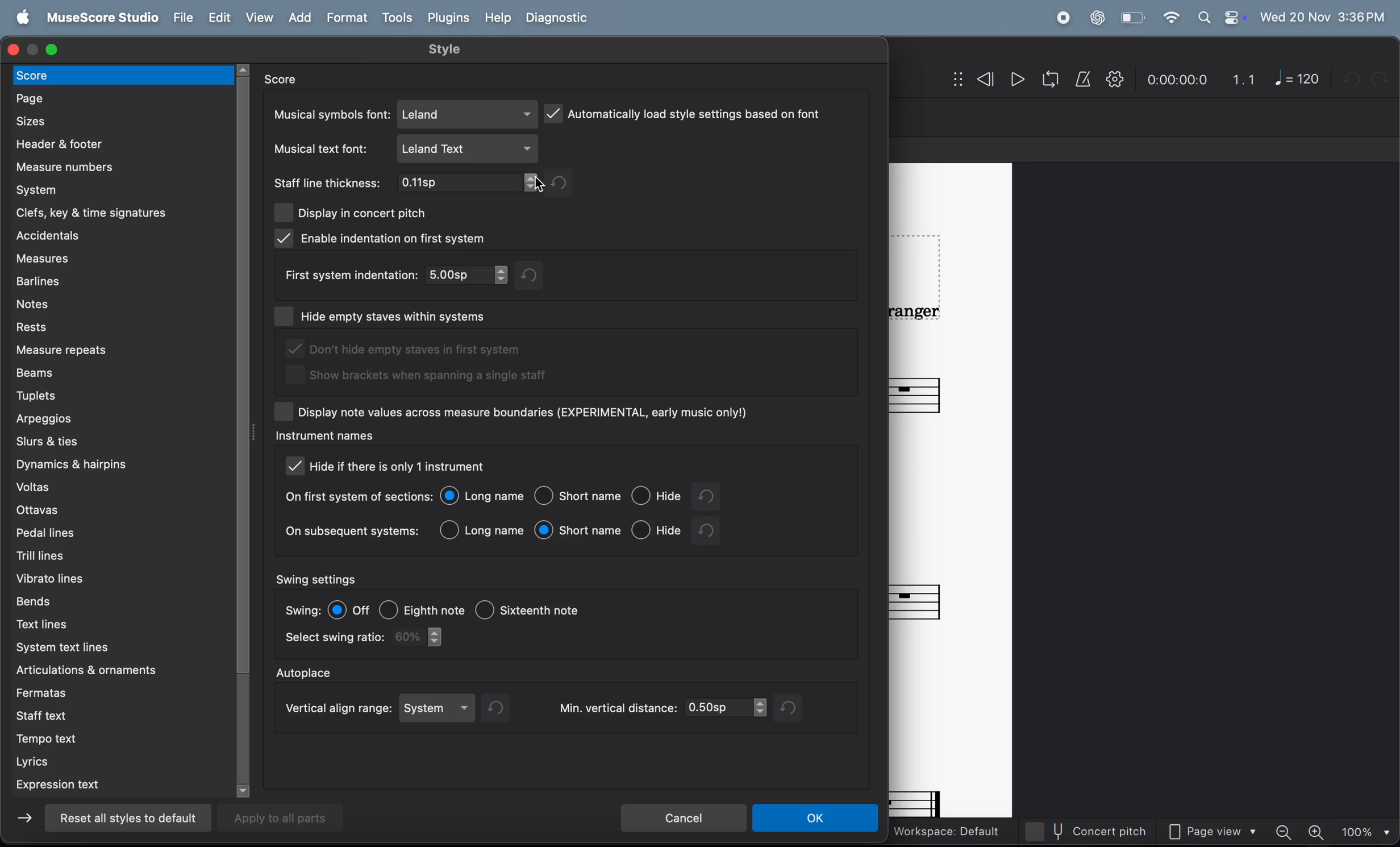  I want to click on accidentials, so click(111, 235).